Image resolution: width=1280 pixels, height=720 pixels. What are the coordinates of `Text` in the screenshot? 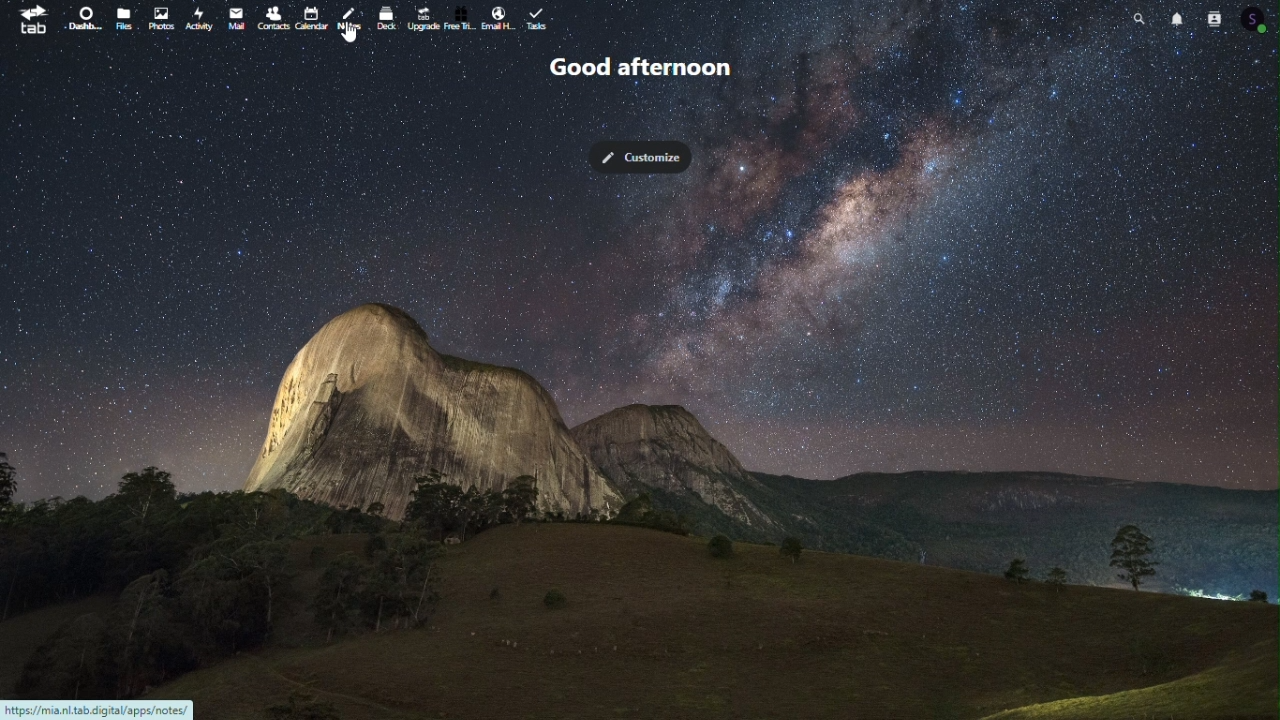 It's located at (644, 69).